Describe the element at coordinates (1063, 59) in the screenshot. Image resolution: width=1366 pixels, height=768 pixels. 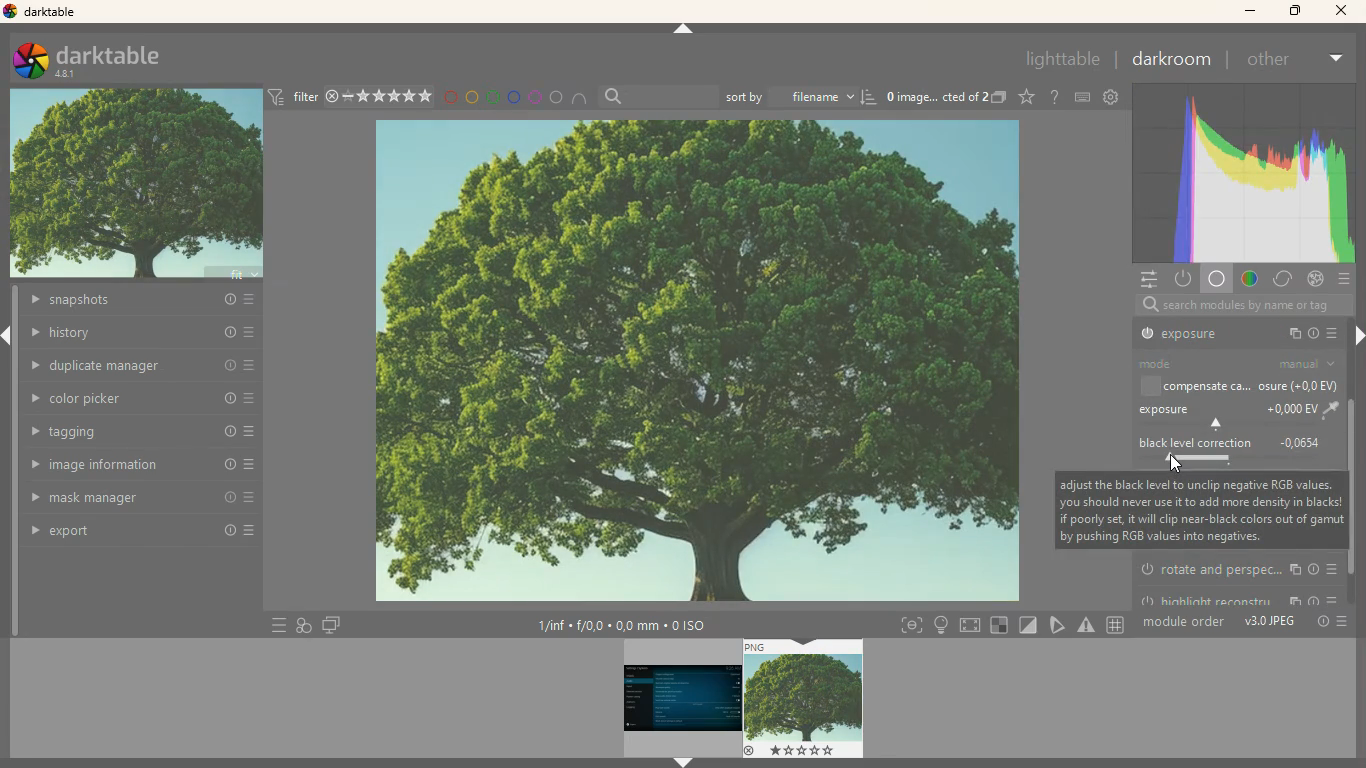
I see `lighttable` at that location.